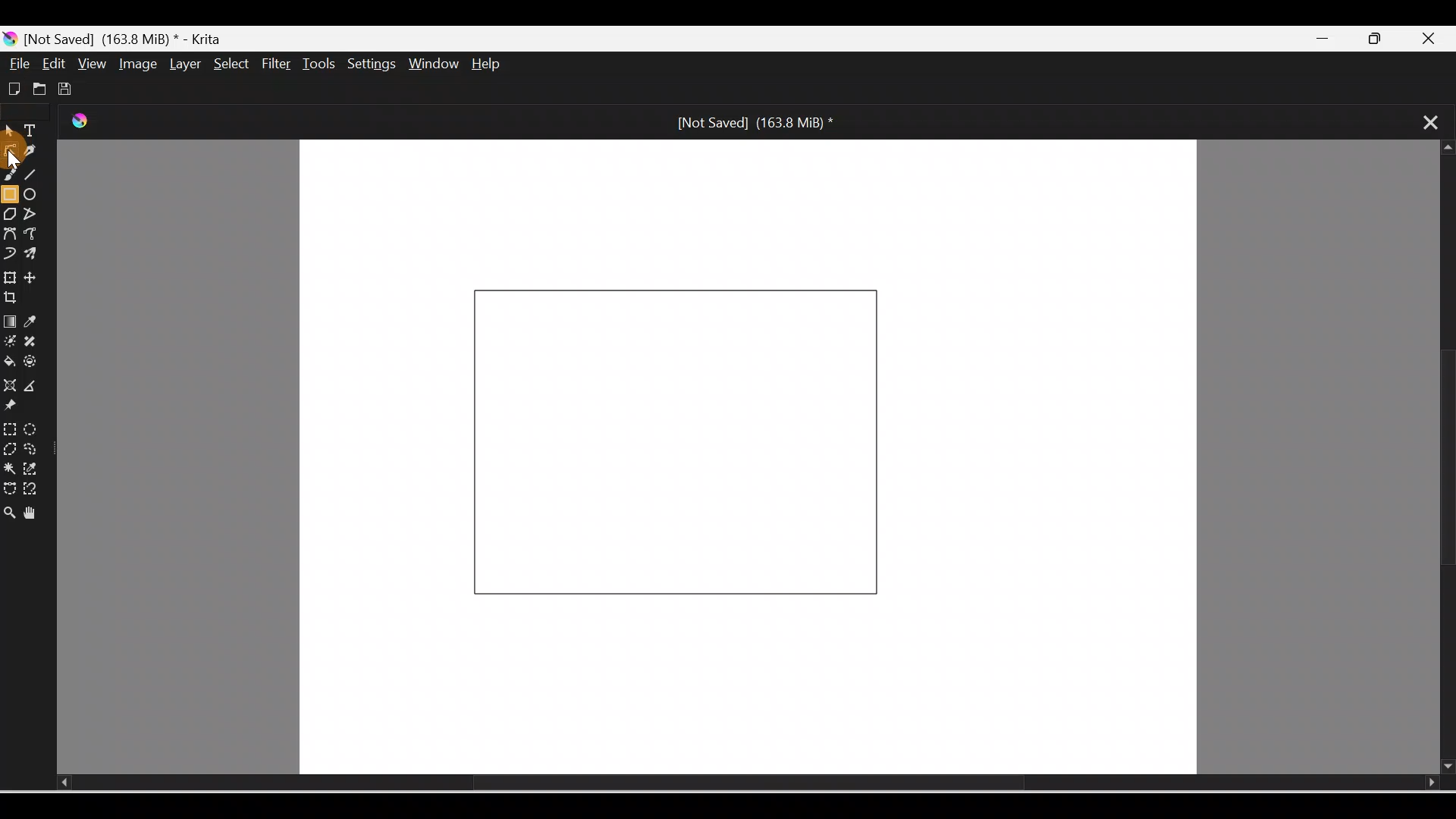 The height and width of the screenshot is (819, 1456). What do you see at coordinates (9, 322) in the screenshot?
I see `Draw a gradient` at bounding box center [9, 322].